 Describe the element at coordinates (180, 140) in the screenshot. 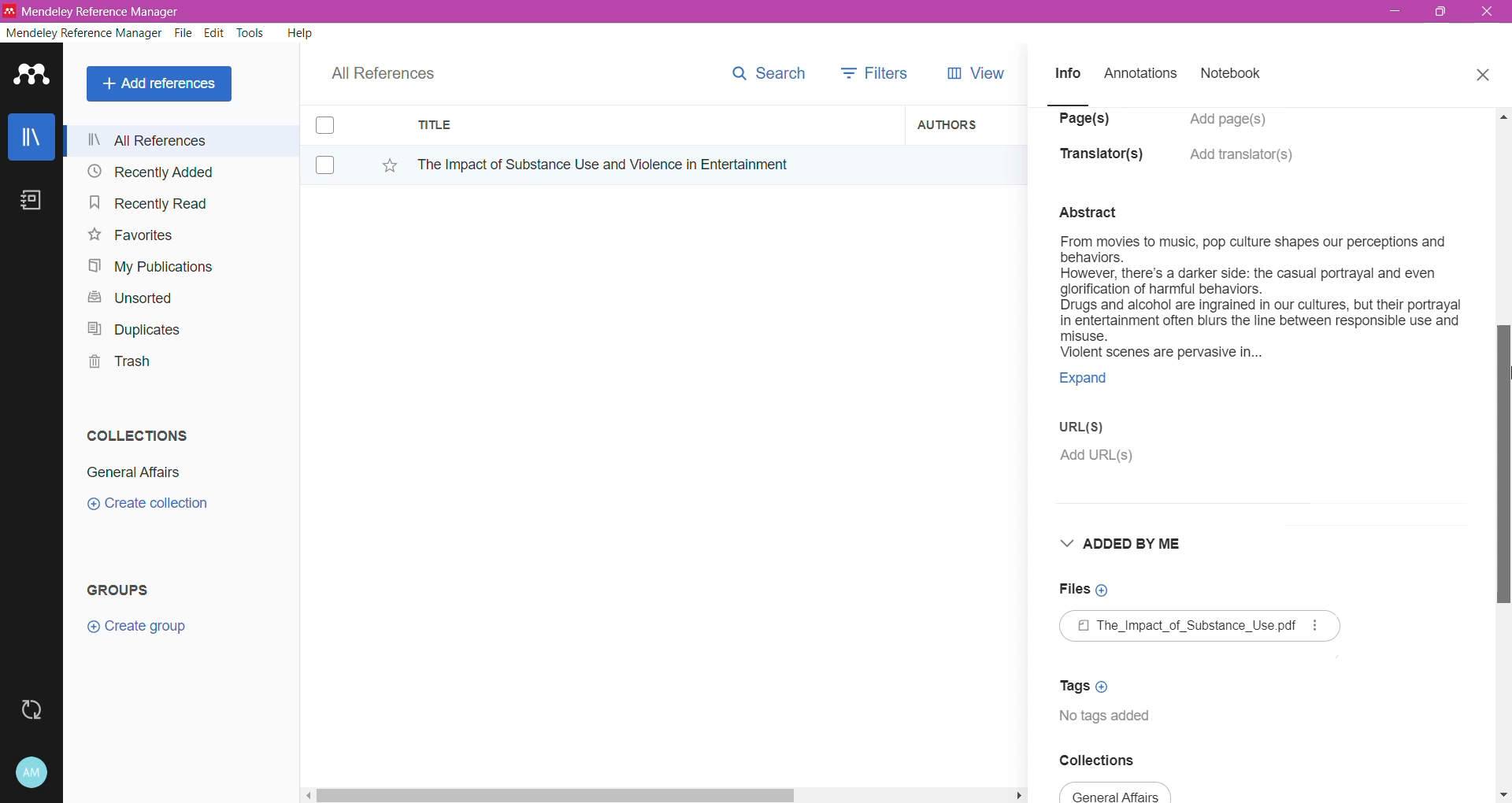

I see `All References` at that location.